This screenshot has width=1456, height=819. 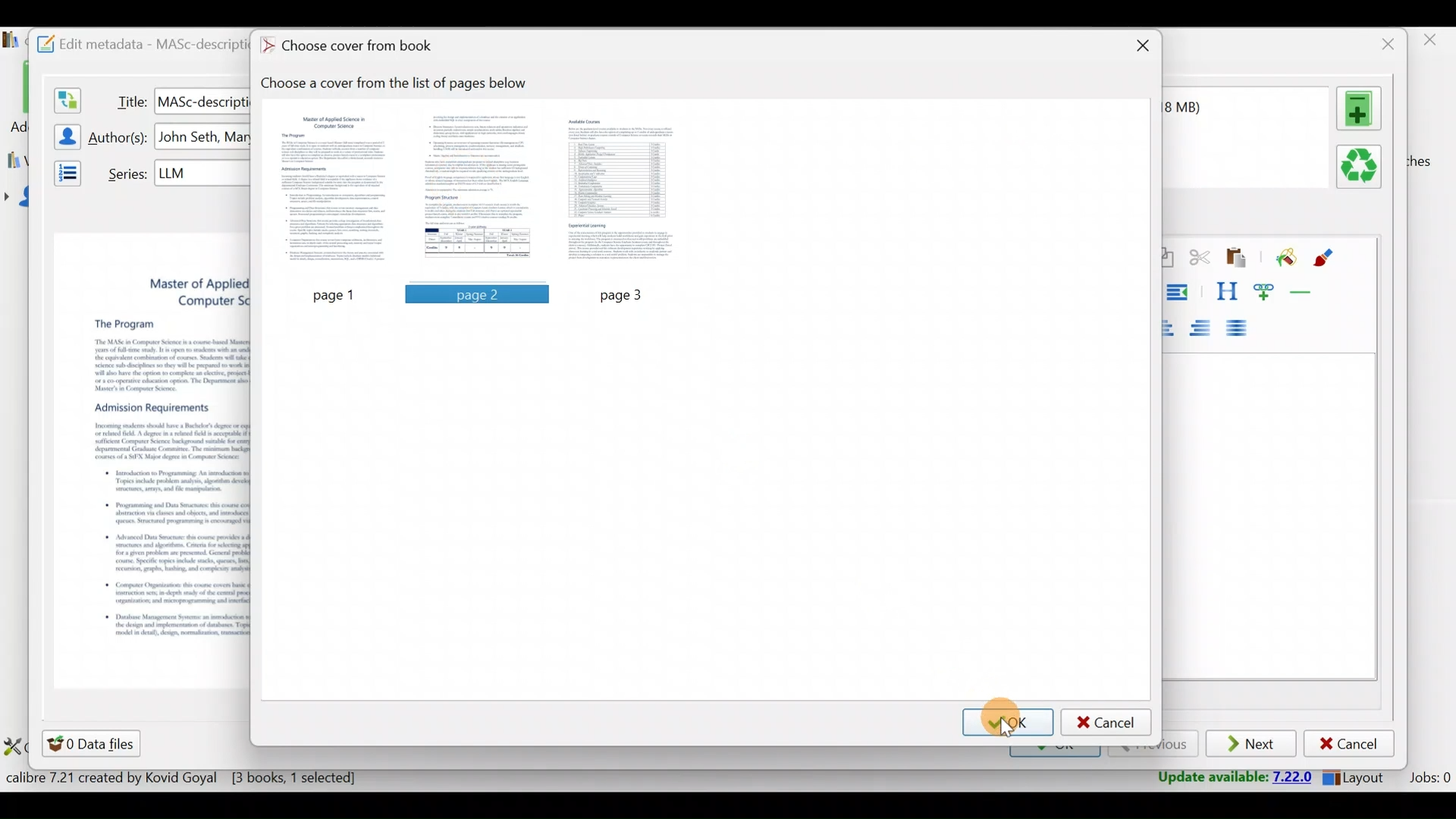 I want to click on Next, so click(x=1253, y=745).